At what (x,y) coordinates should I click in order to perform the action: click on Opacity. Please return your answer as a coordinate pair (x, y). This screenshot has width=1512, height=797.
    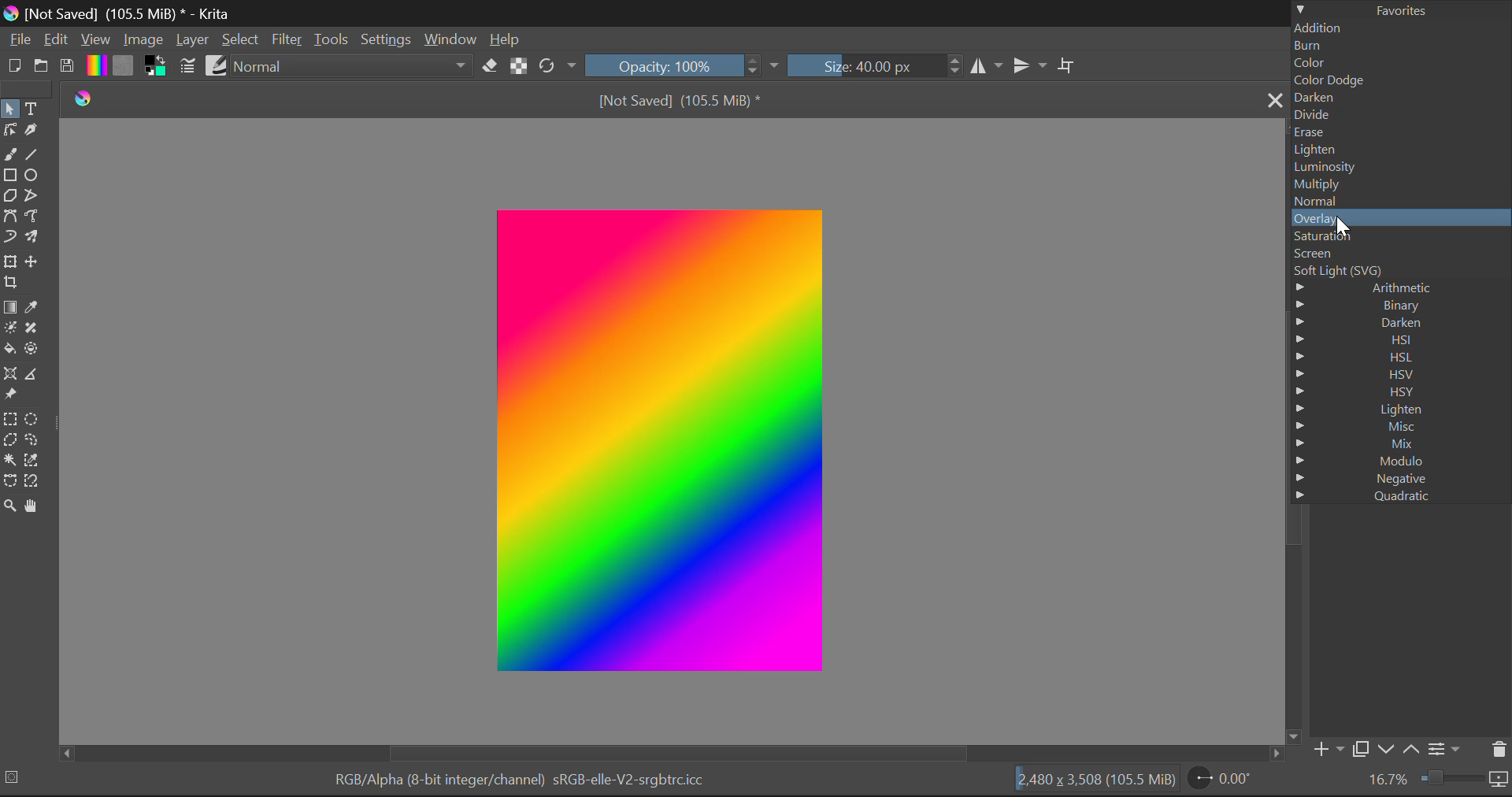
    Looking at the image, I should click on (663, 66).